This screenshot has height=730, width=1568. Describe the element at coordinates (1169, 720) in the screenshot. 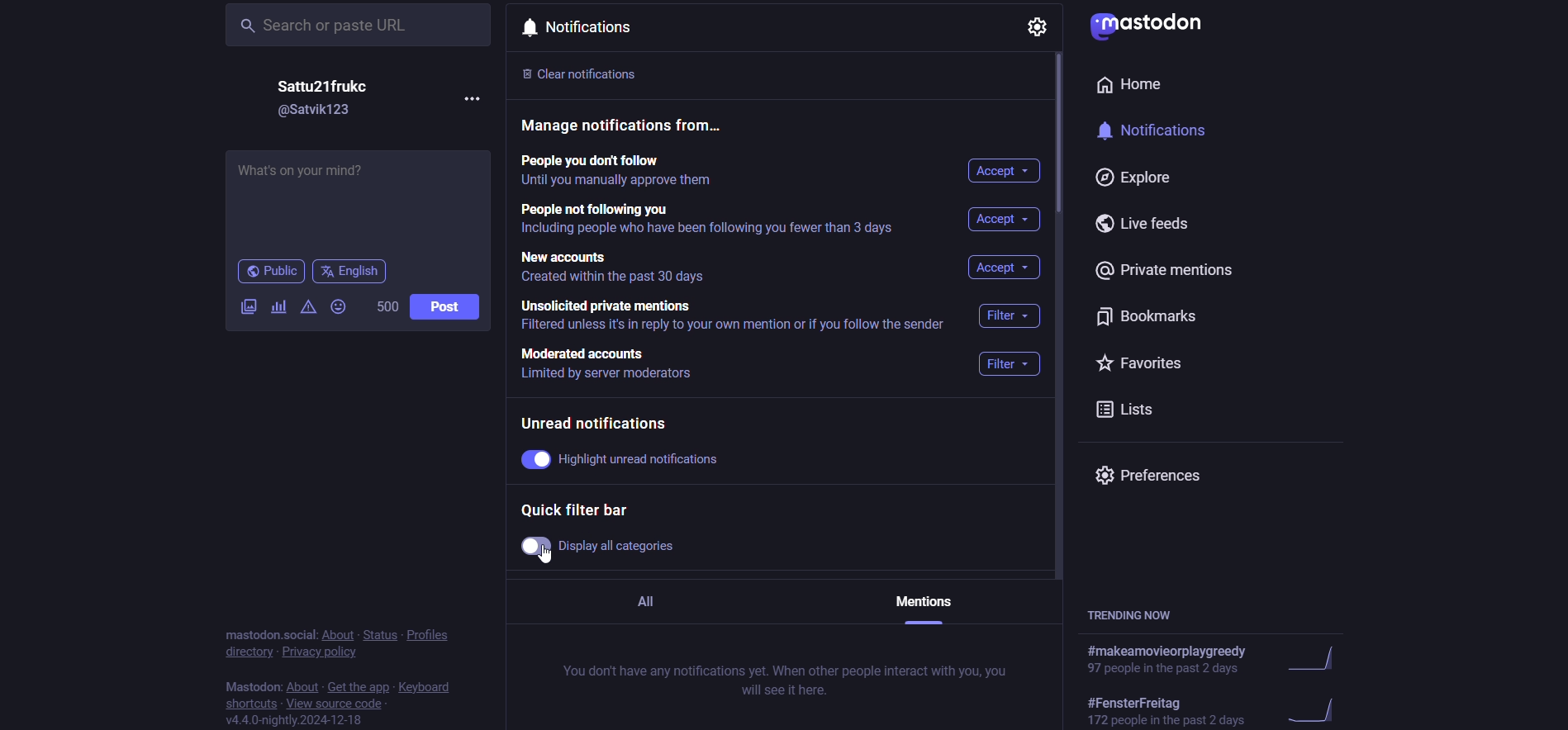

I see `172 people in the past 2 days` at that location.